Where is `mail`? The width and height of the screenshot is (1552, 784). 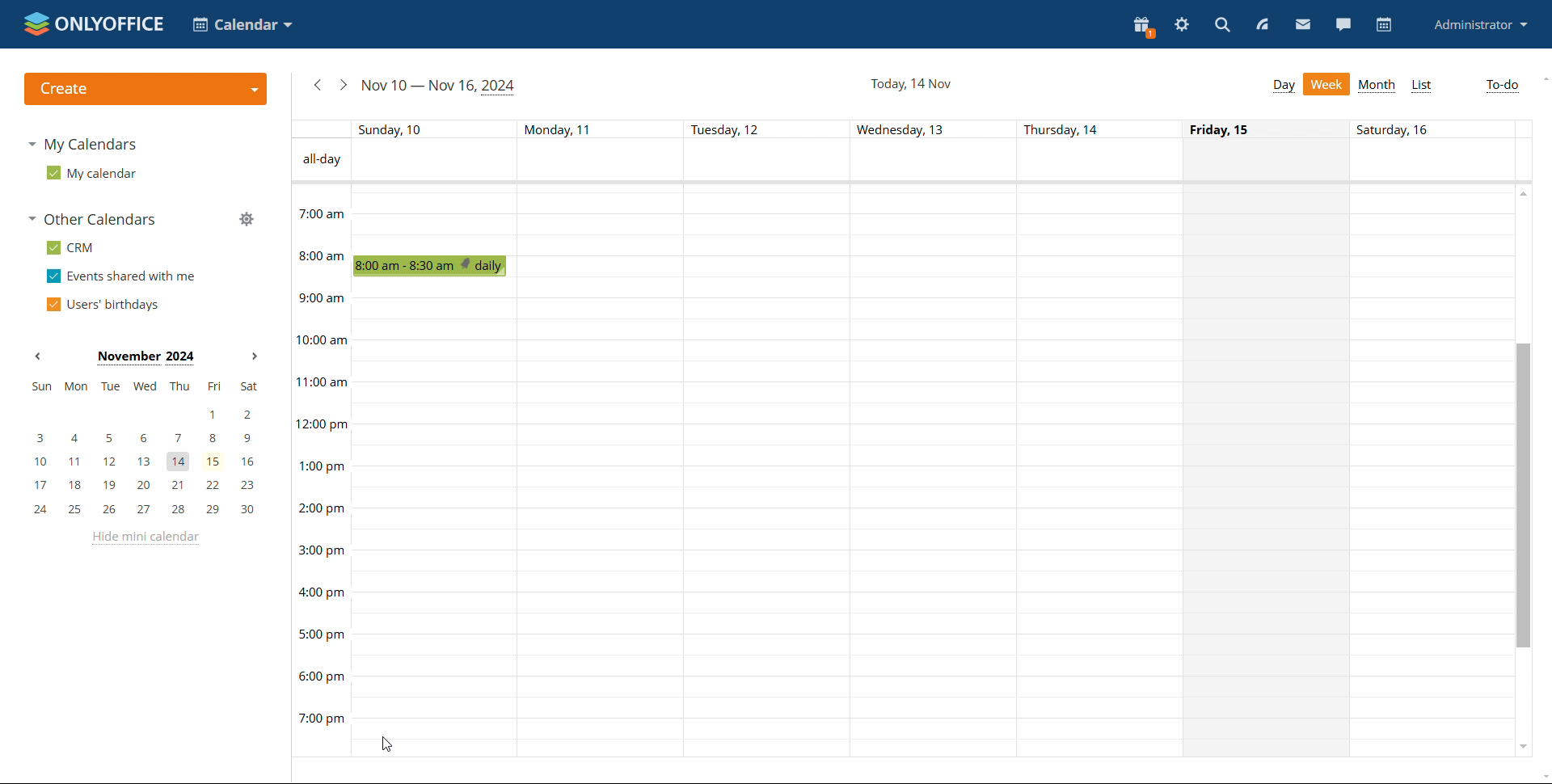 mail is located at coordinates (1303, 23).